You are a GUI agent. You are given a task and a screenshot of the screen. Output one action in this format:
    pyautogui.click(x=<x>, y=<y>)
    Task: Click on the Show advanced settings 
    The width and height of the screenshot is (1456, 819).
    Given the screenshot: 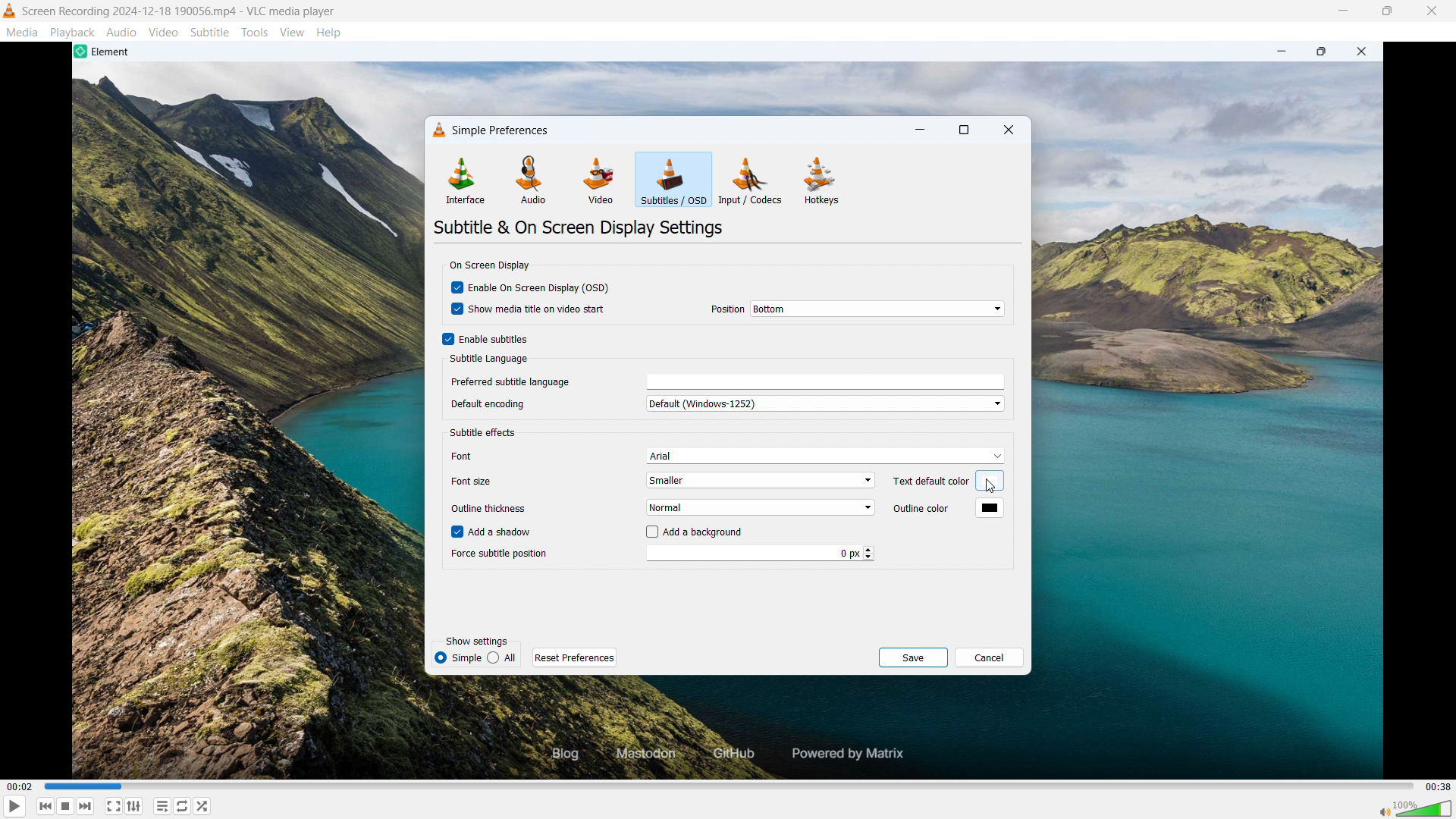 What is the action you would take?
    pyautogui.click(x=133, y=806)
    